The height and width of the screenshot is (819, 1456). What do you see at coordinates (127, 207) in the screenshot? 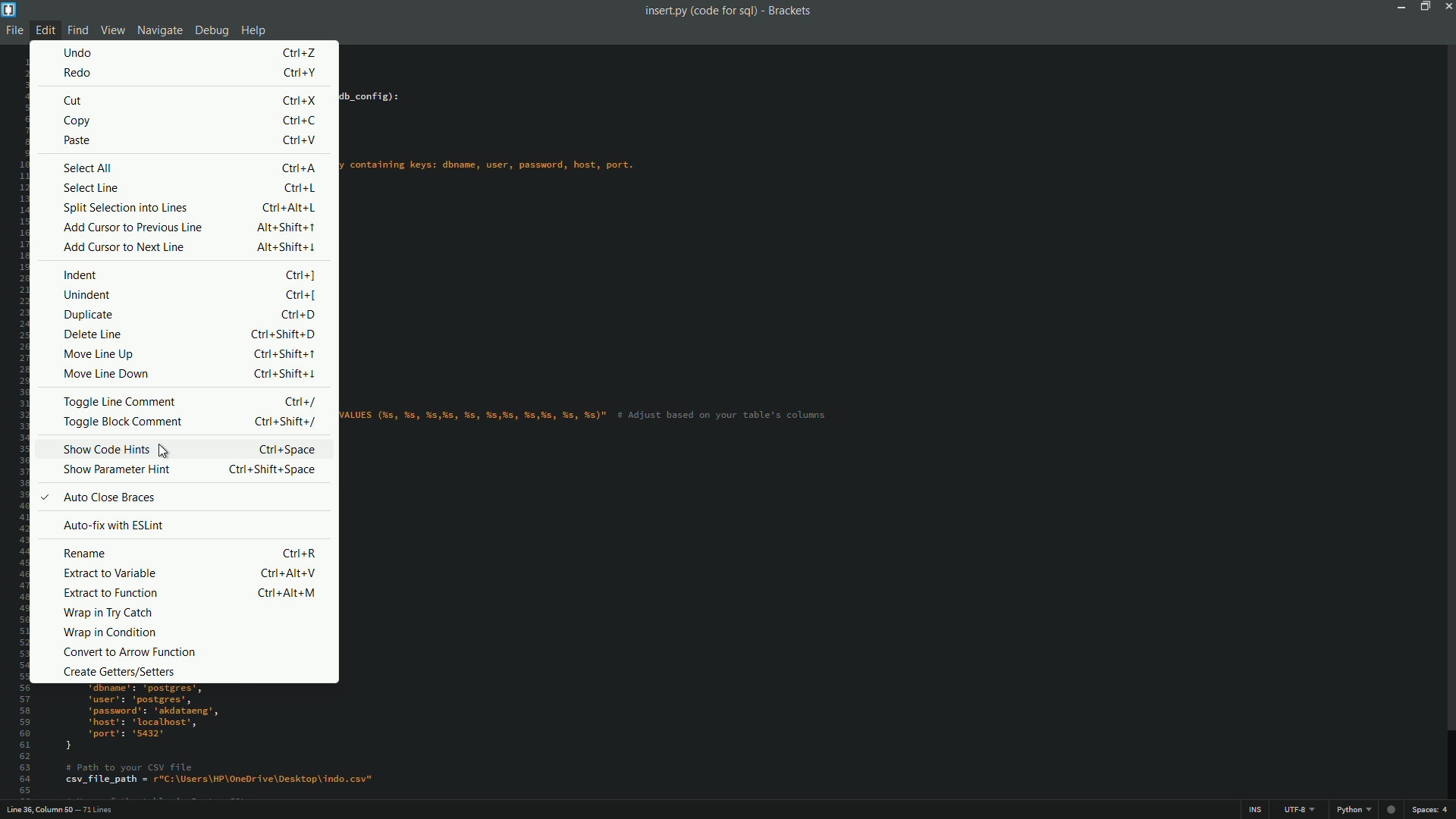
I see `split selection into lines` at bounding box center [127, 207].